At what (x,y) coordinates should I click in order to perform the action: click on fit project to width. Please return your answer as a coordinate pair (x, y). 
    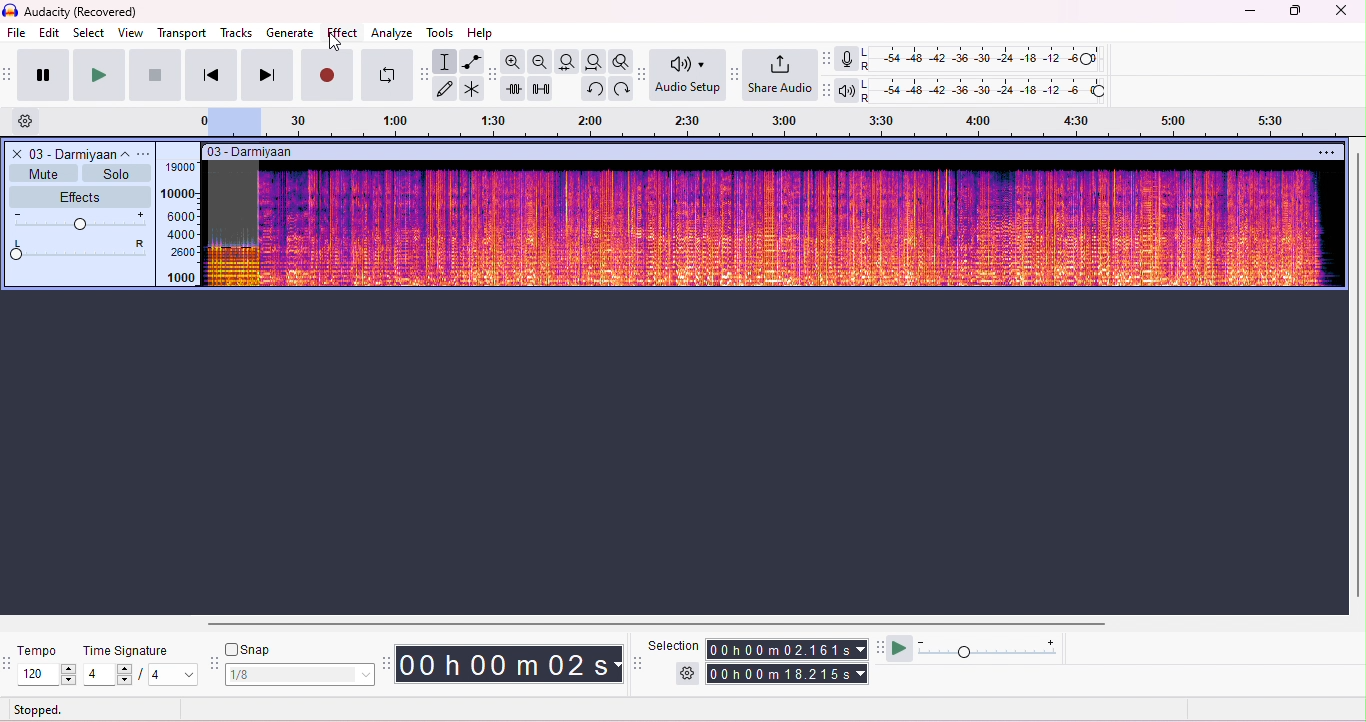
    Looking at the image, I should click on (593, 62).